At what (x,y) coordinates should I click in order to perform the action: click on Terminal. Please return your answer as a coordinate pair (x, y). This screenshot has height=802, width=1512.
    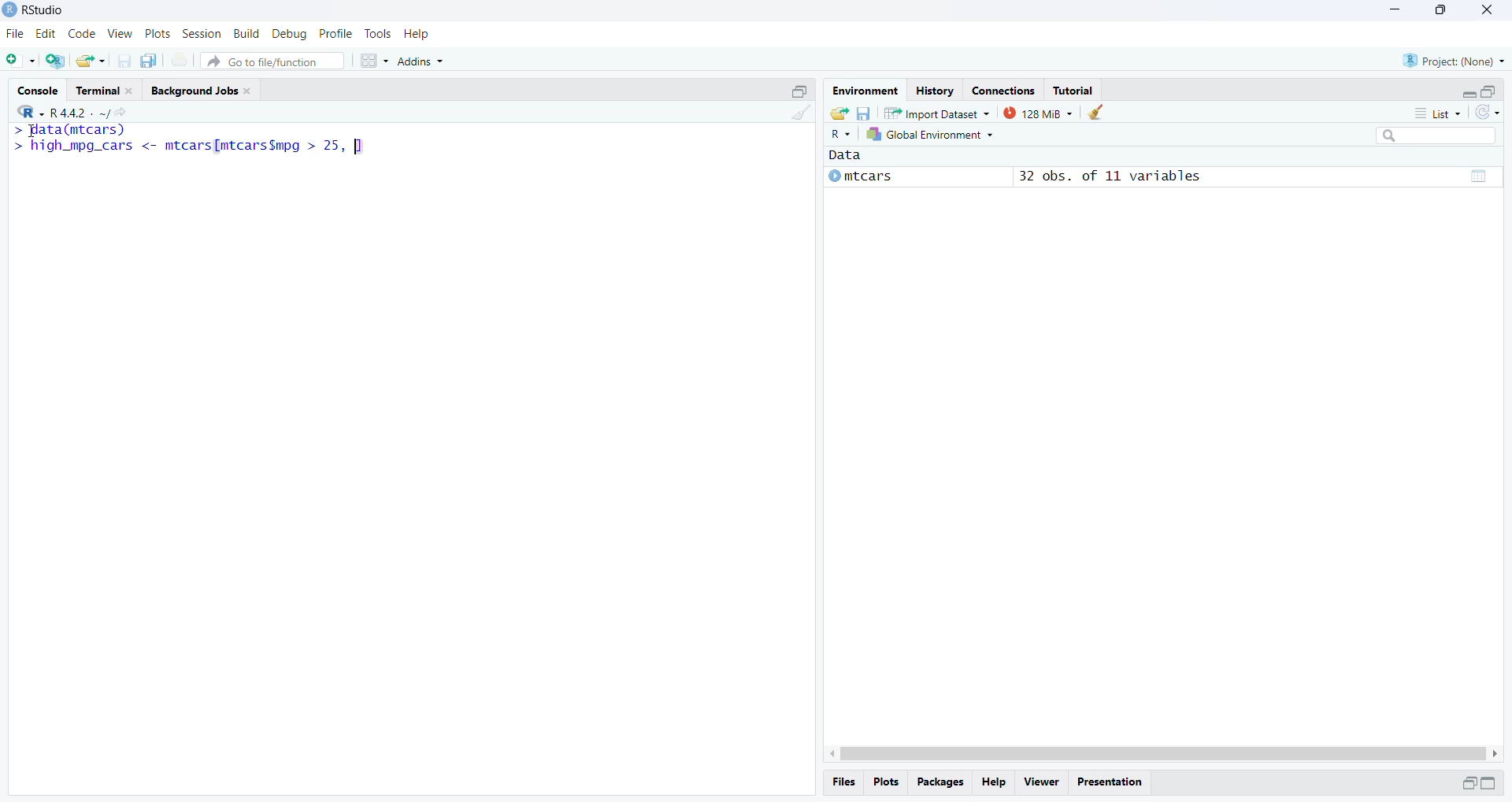
    Looking at the image, I should click on (106, 88).